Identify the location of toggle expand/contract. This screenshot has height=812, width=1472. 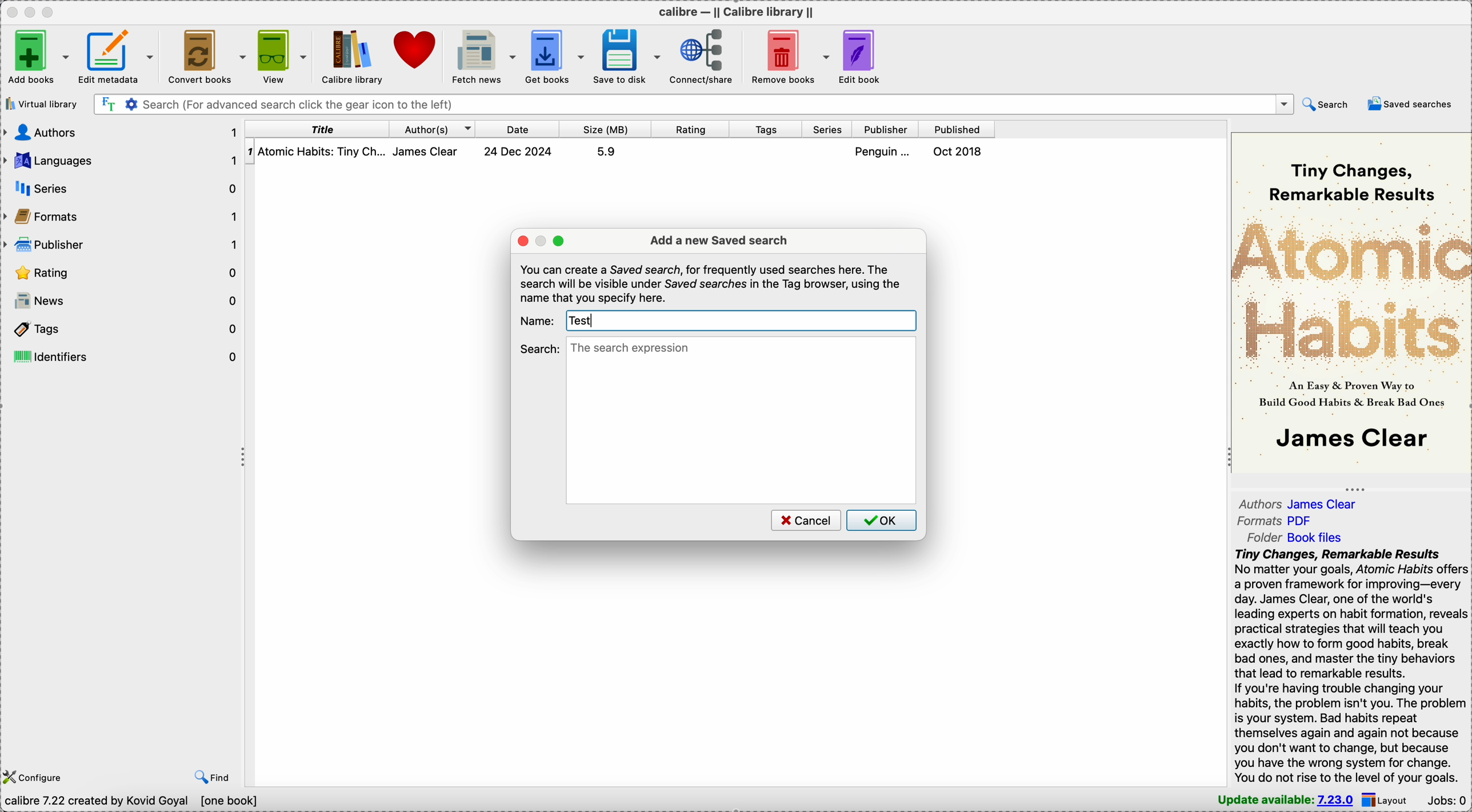
(244, 458).